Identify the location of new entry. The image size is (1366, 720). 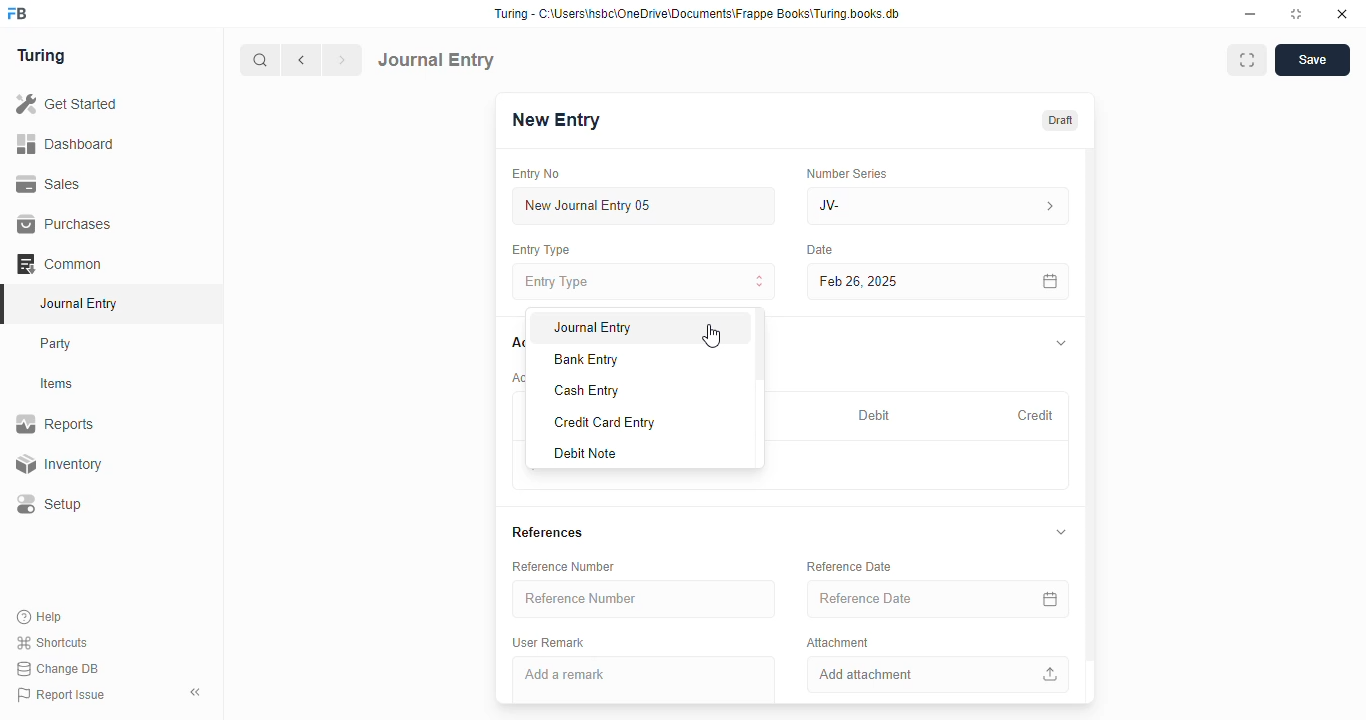
(555, 120).